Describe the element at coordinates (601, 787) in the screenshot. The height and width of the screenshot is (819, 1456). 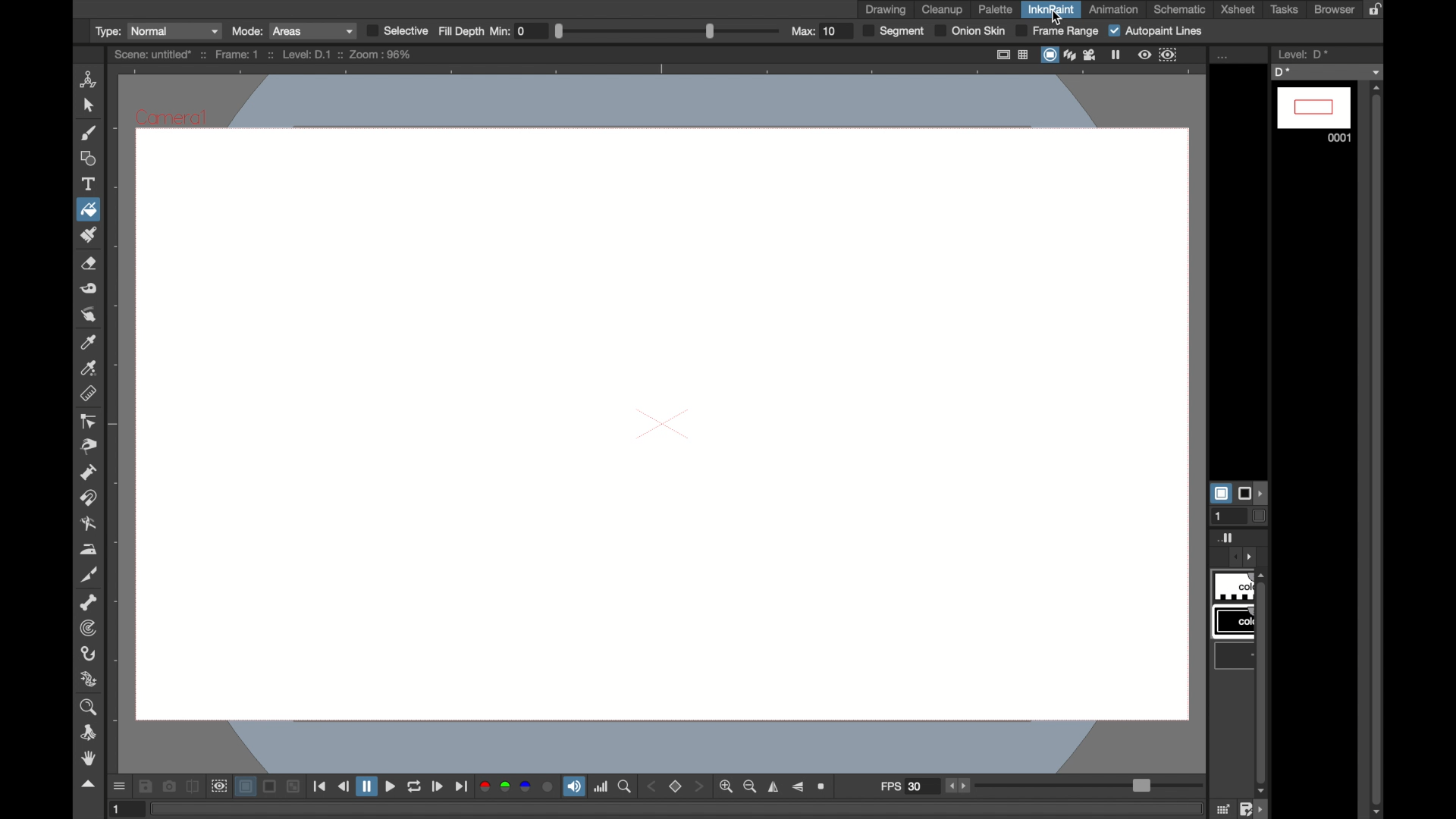
I see `histogram` at that location.